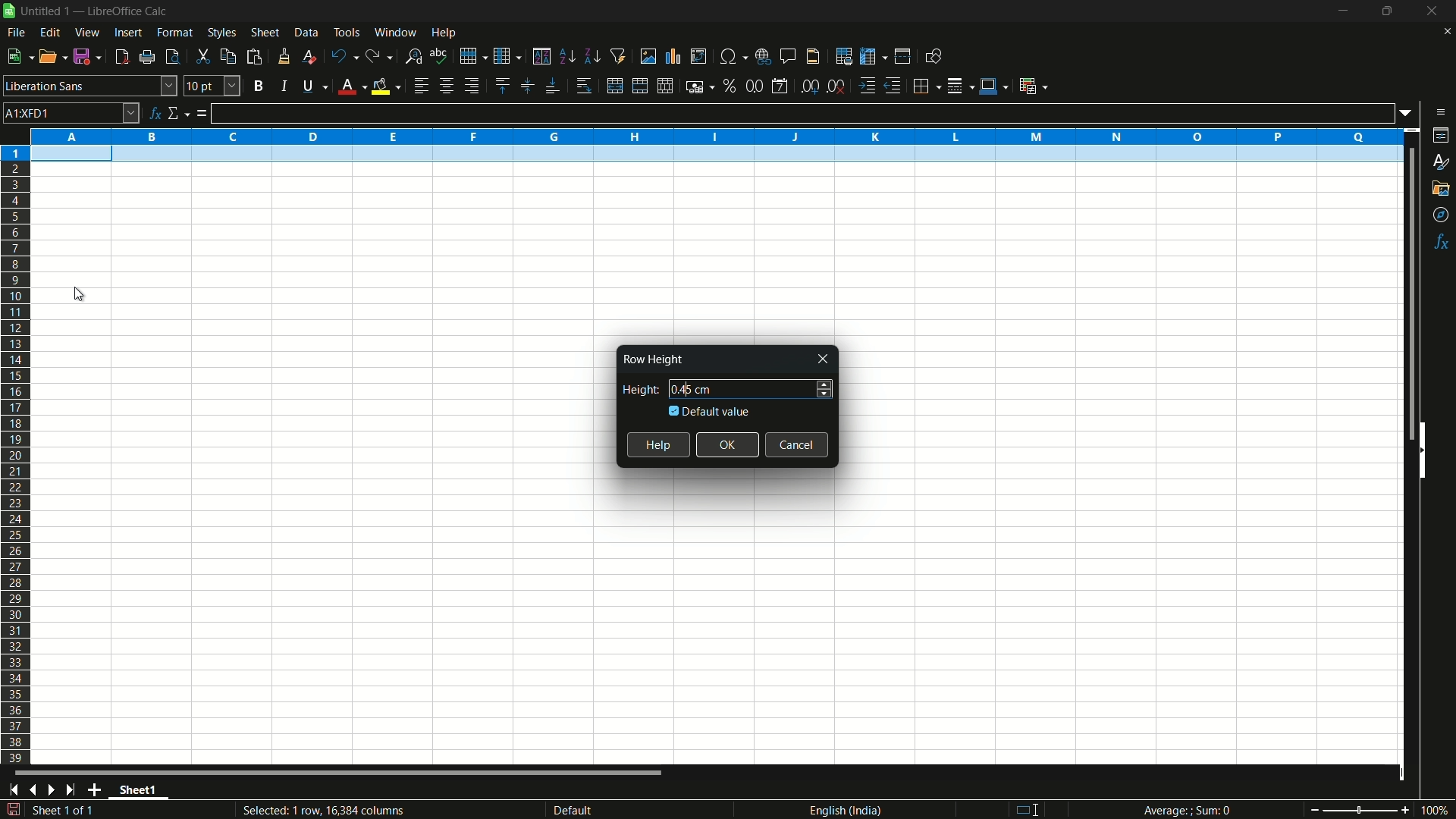  Describe the element at coordinates (13, 810) in the screenshot. I see `save` at that location.